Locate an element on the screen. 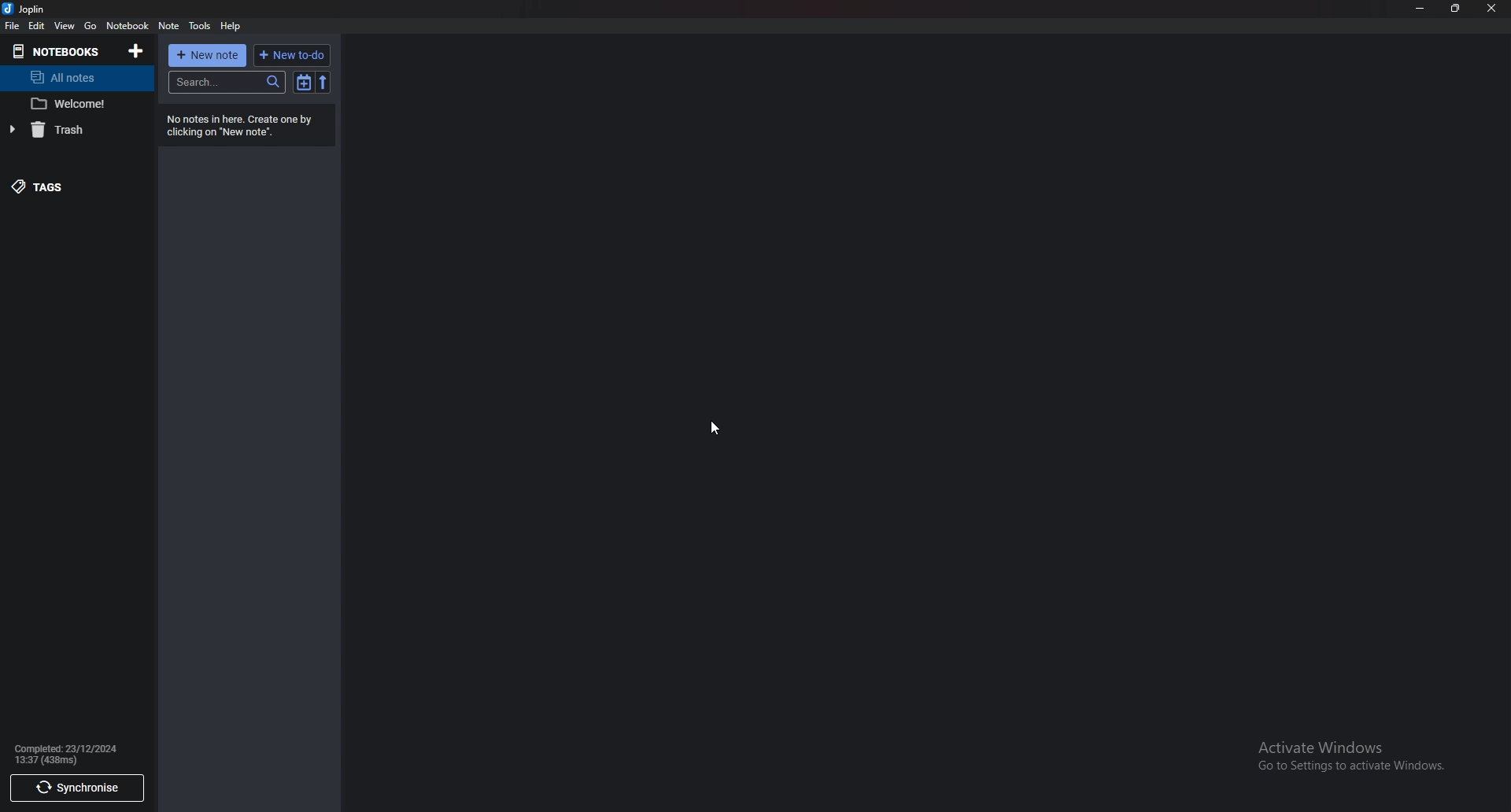 This screenshot has width=1511, height=812. trash is located at coordinates (69, 130).